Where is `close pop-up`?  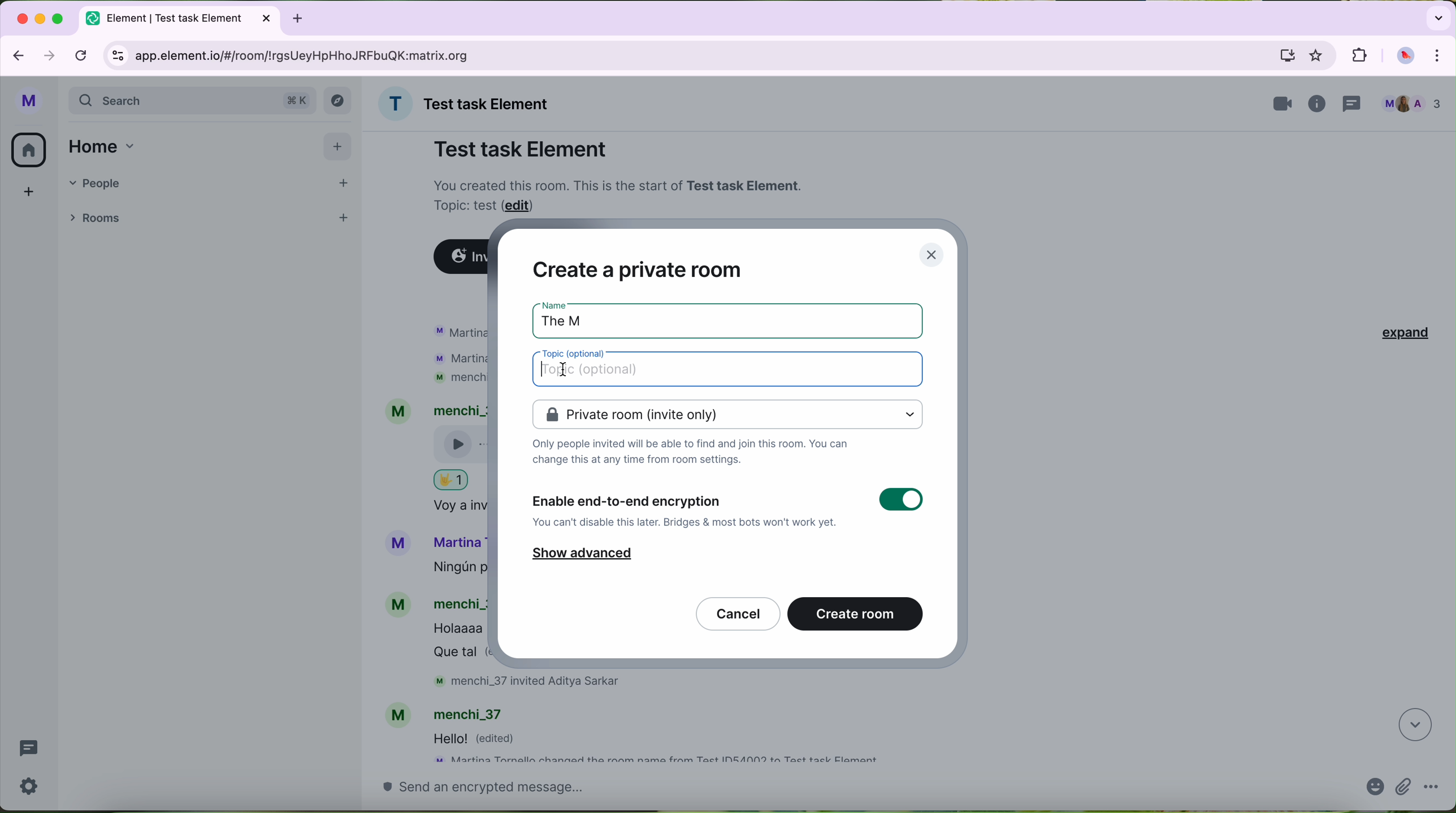 close pop-up is located at coordinates (934, 254).